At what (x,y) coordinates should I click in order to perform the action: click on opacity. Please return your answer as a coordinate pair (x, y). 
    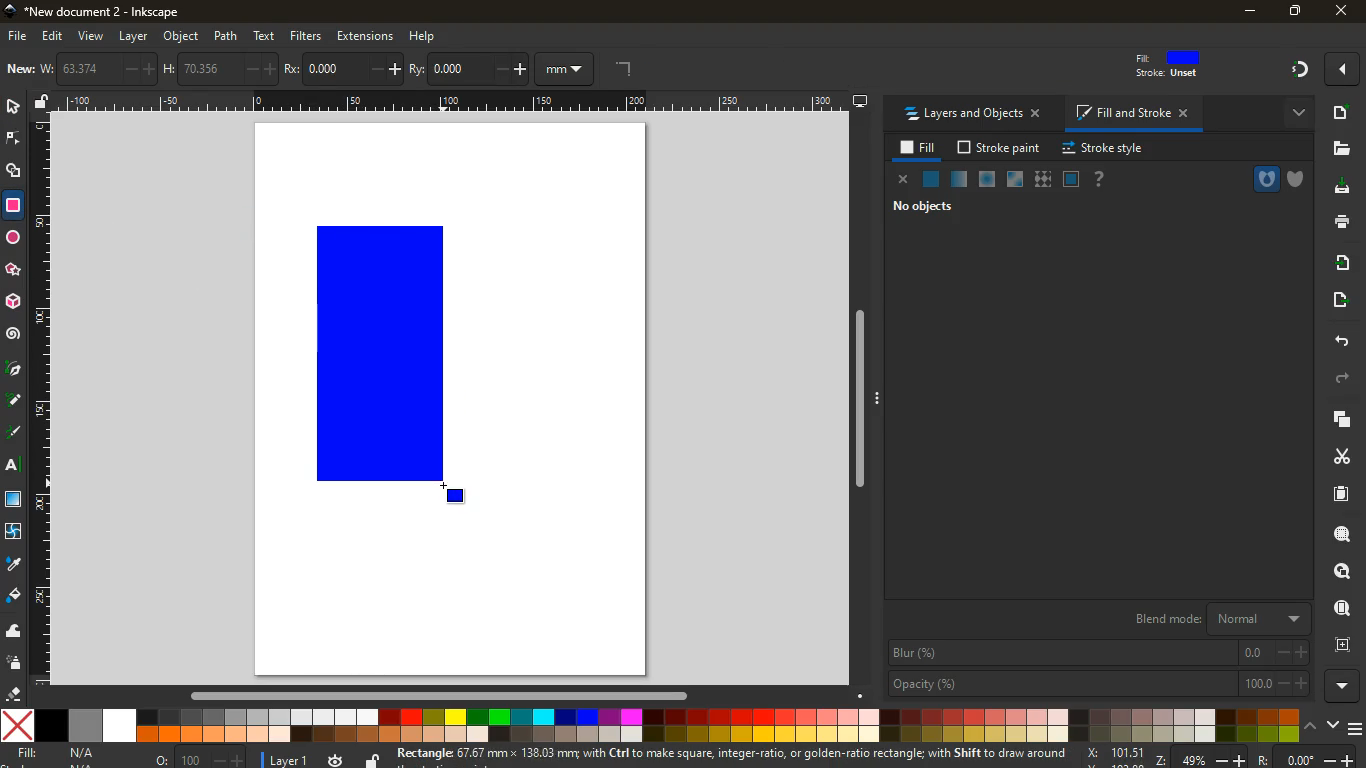
    Looking at the image, I should click on (959, 178).